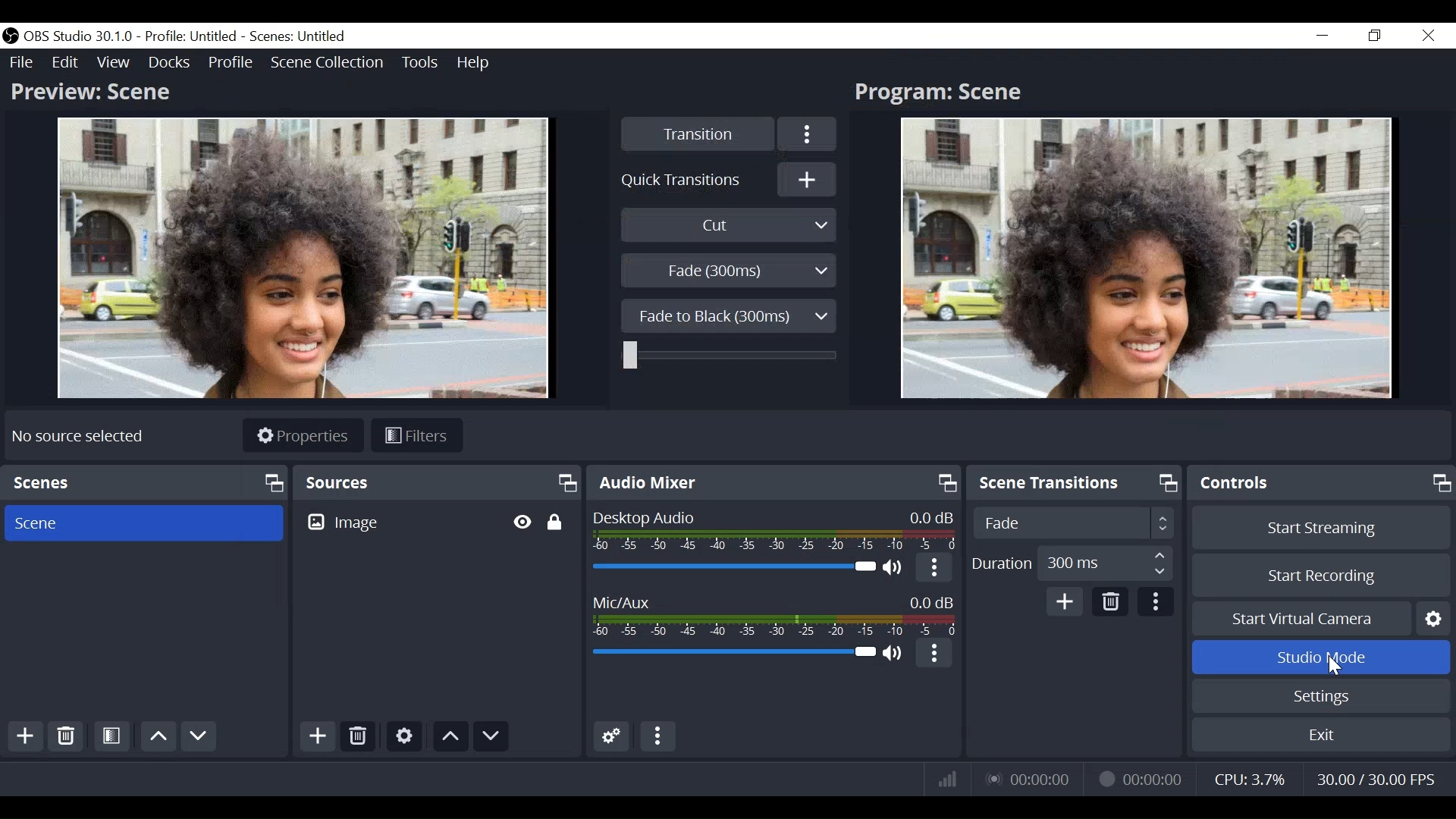 The height and width of the screenshot is (819, 1456). Describe the element at coordinates (231, 63) in the screenshot. I see `Profile` at that location.